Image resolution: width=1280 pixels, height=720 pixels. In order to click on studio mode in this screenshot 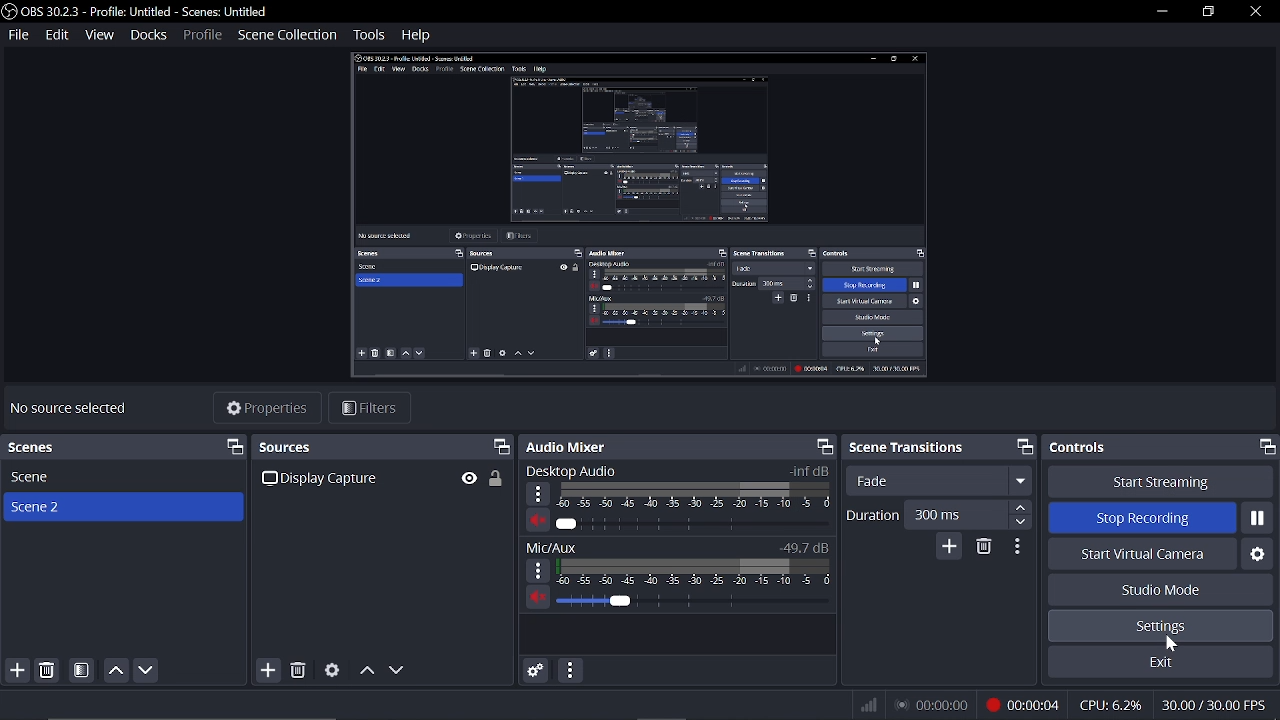, I will do `click(1162, 590)`.